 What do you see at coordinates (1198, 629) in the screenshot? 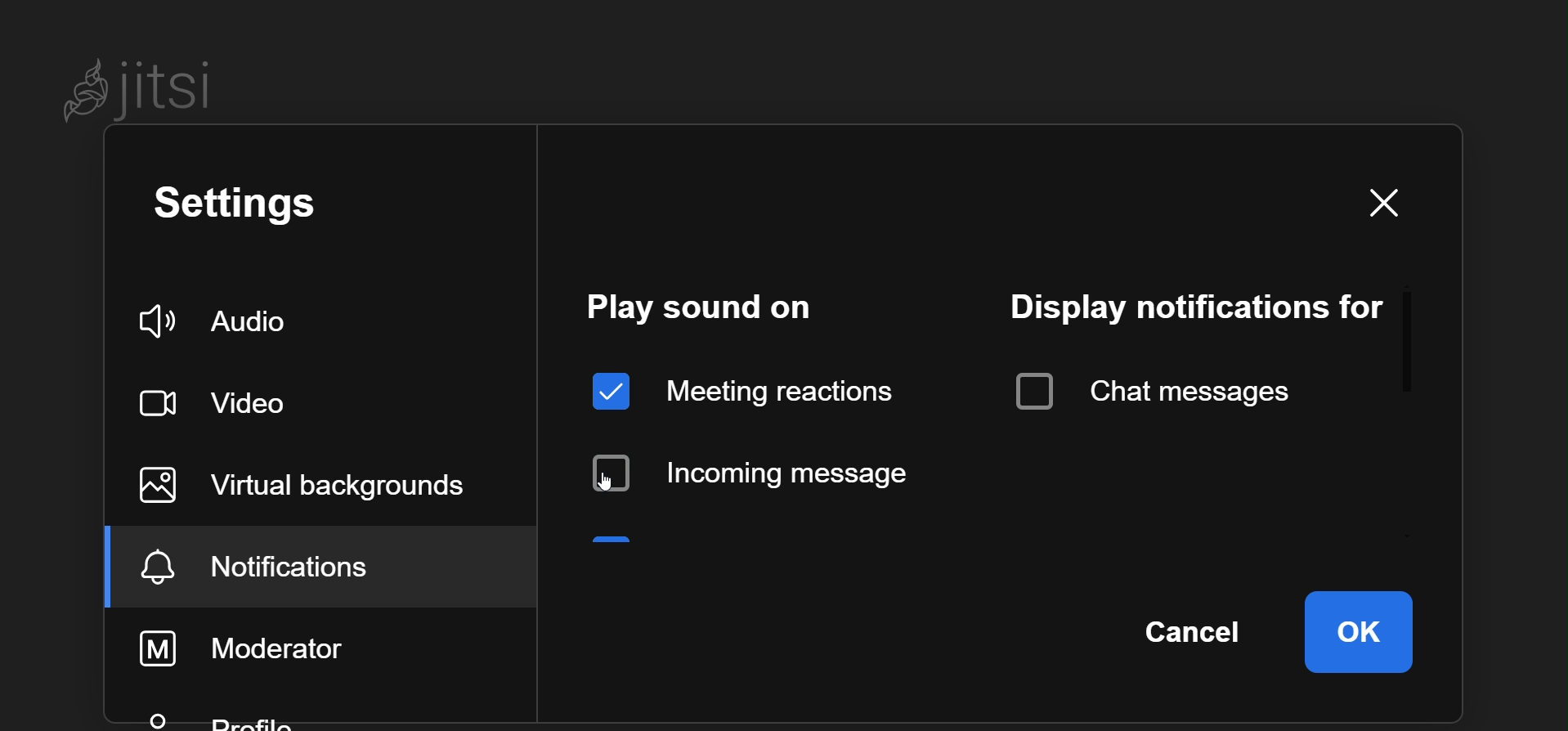
I see `cancel` at bounding box center [1198, 629].